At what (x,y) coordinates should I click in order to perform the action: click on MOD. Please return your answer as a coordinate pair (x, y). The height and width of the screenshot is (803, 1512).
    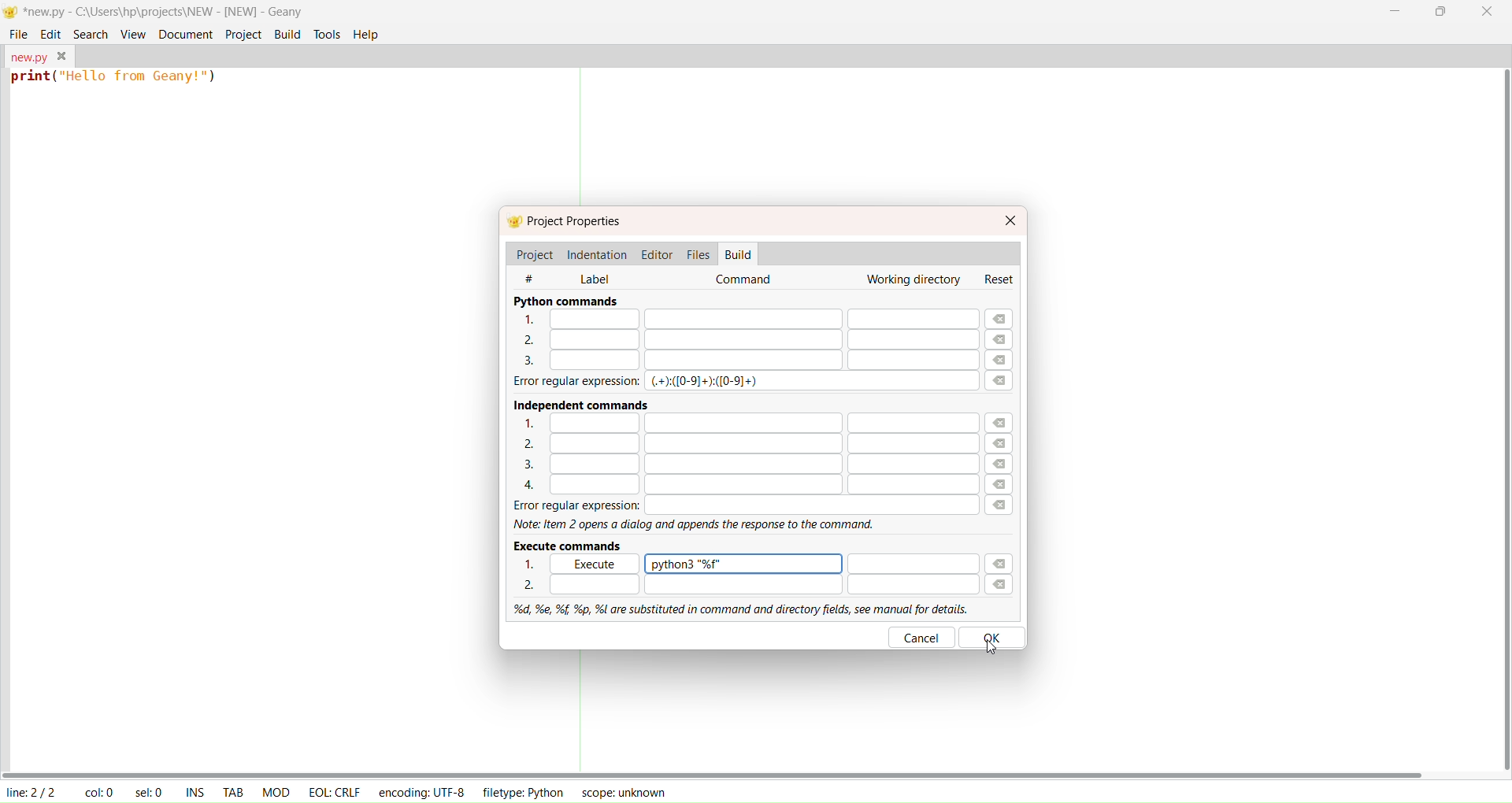
    Looking at the image, I should click on (276, 790).